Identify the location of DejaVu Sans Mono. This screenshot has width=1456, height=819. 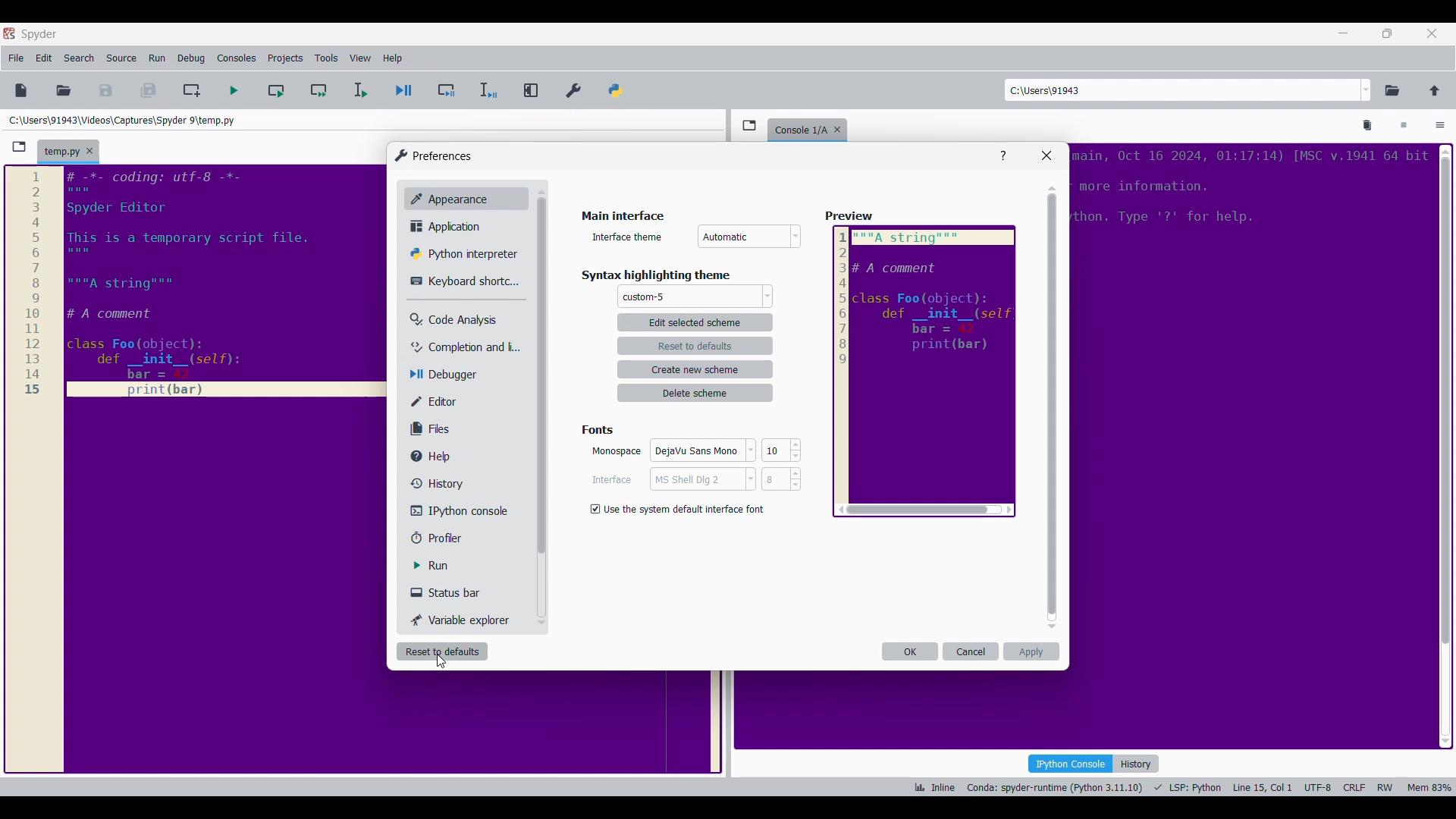
(704, 449).